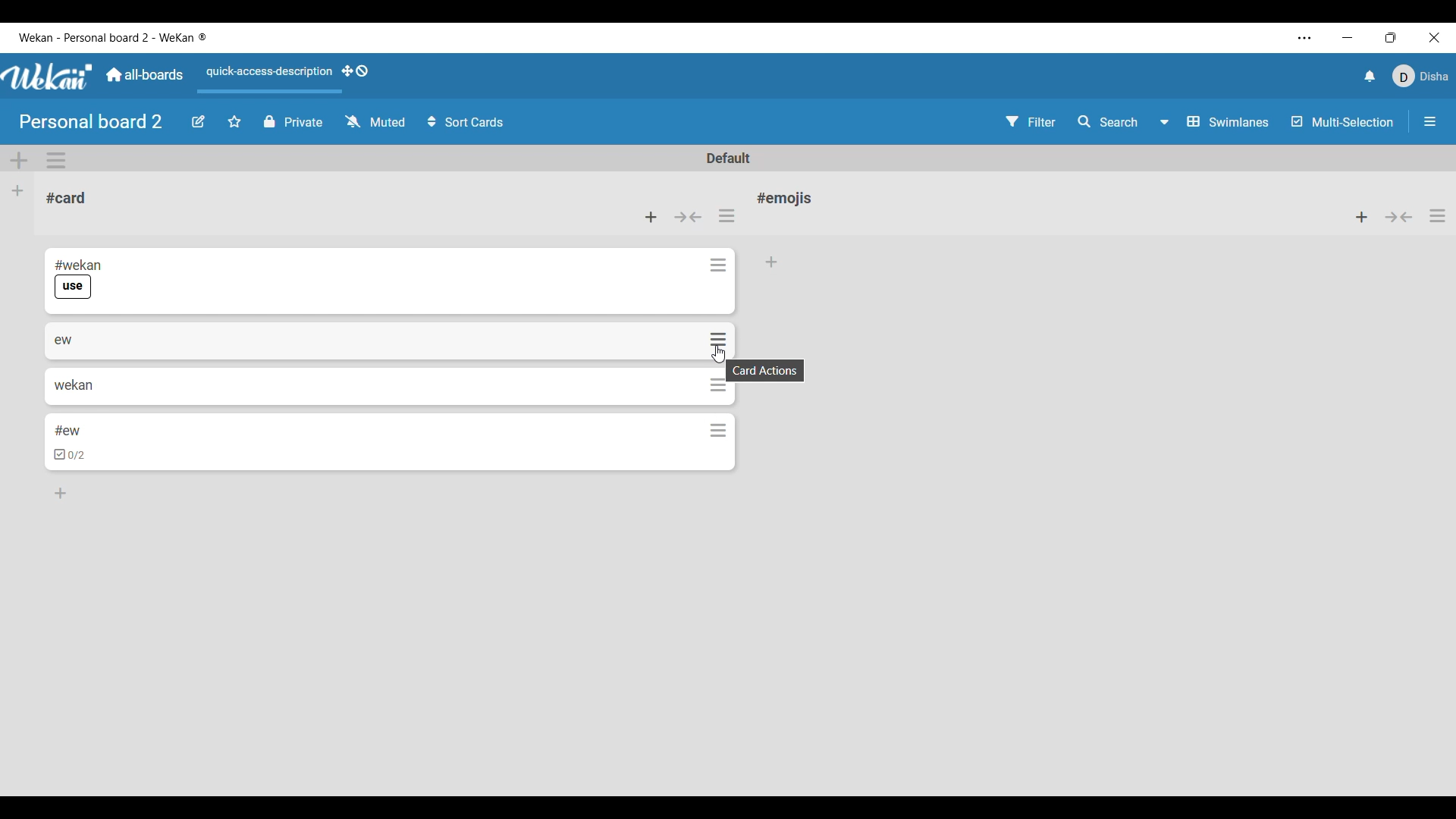 The height and width of the screenshot is (819, 1456). I want to click on List actions, so click(726, 215).